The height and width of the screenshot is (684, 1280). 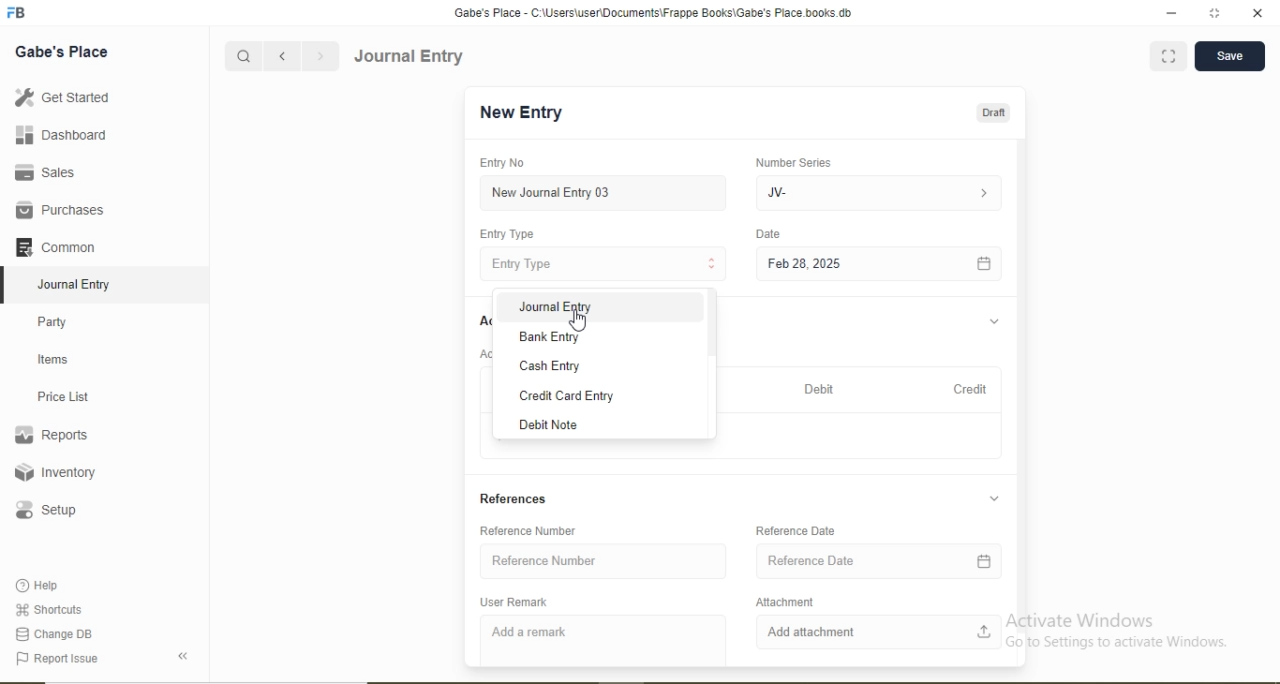 What do you see at coordinates (1021, 386) in the screenshot?
I see `Scroll bar` at bounding box center [1021, 386].